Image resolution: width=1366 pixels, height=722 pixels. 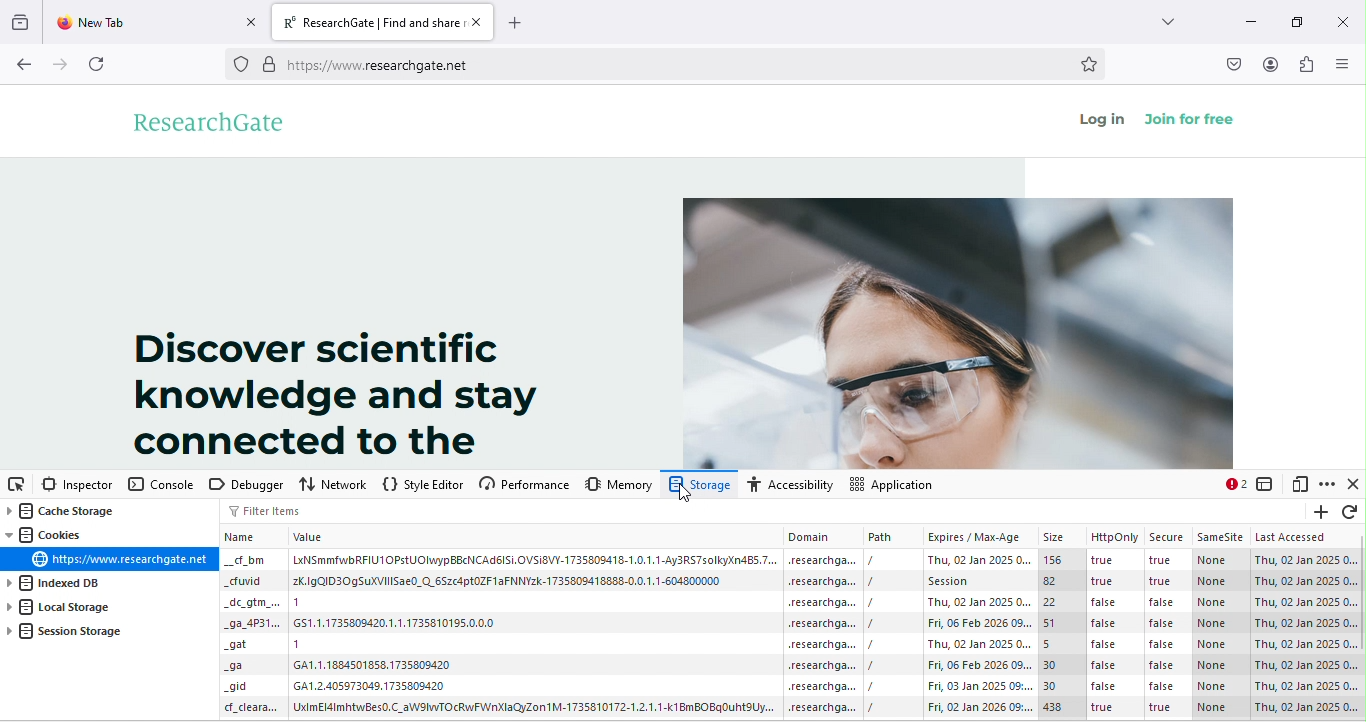 What do you see at coordinates (808, 536) in the screenshot?
I see `Domain` at bounding box center [808, 536].